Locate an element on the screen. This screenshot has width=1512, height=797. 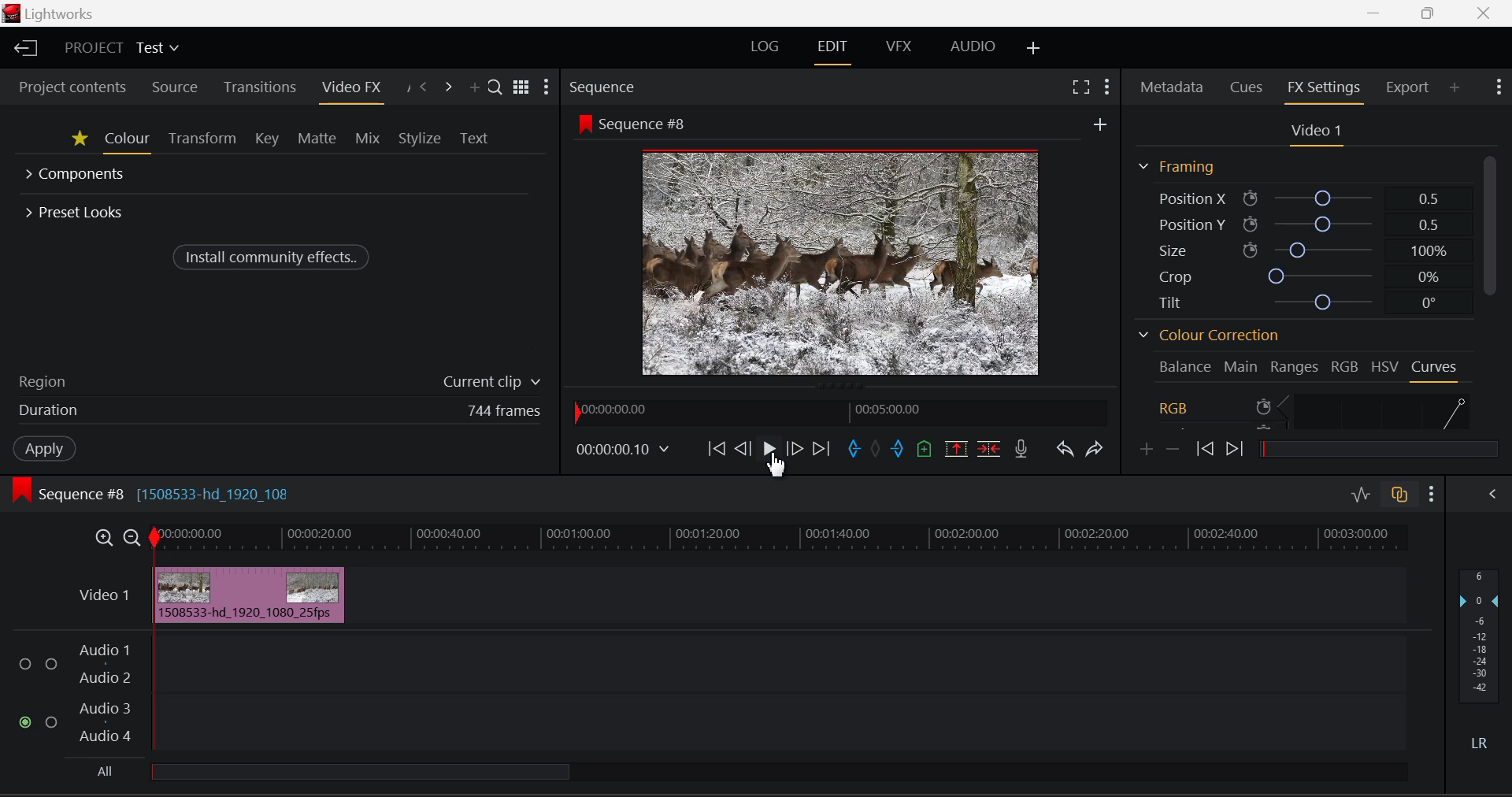
Show Audio Mix is located at coordinates (1492, 496).